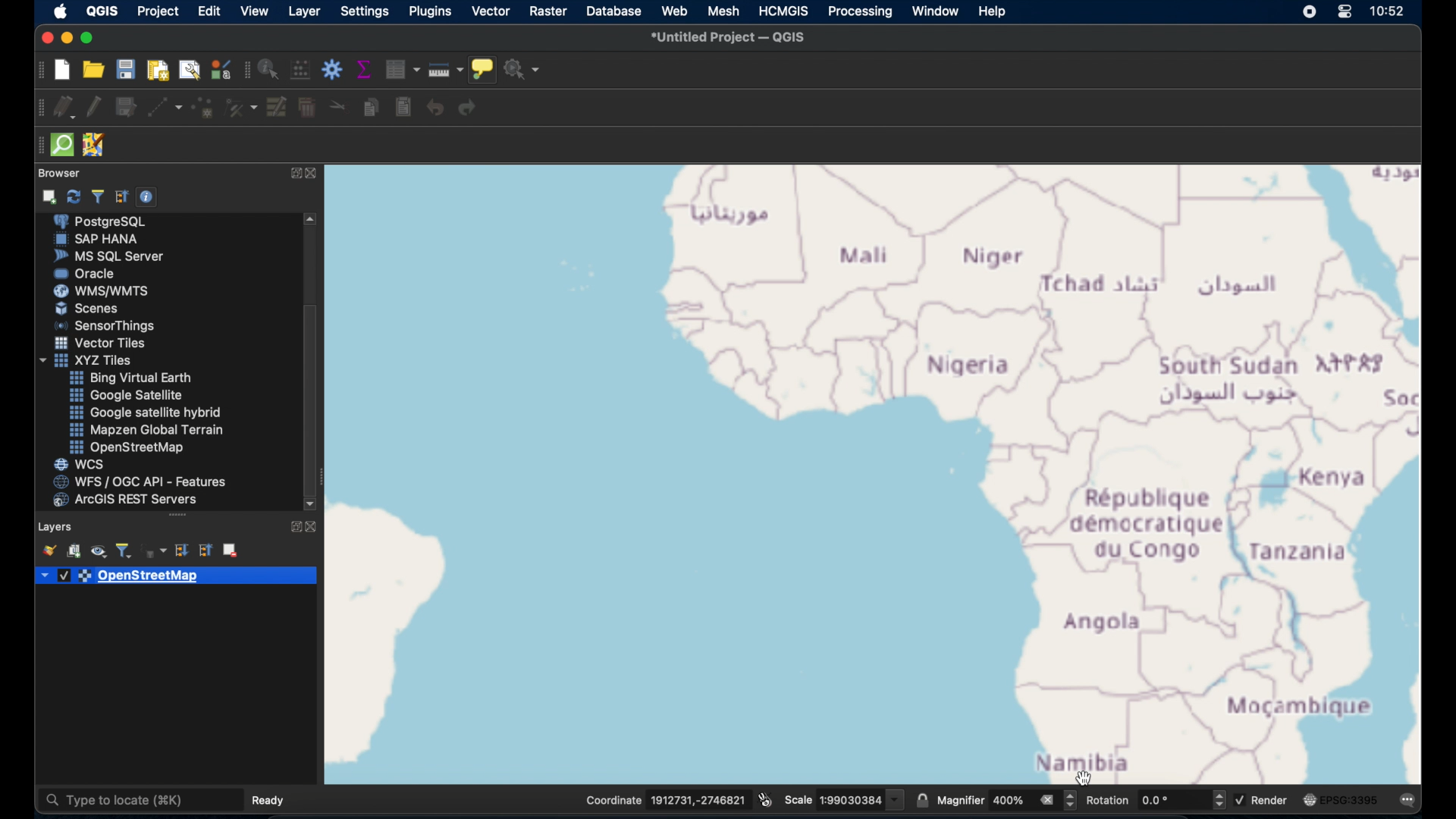 Image resolution: width=1456 pixels, height=819 pixels. Describe the element at coordinates (874, 476) in the screenshot. I see `openstreetmap` at that location.